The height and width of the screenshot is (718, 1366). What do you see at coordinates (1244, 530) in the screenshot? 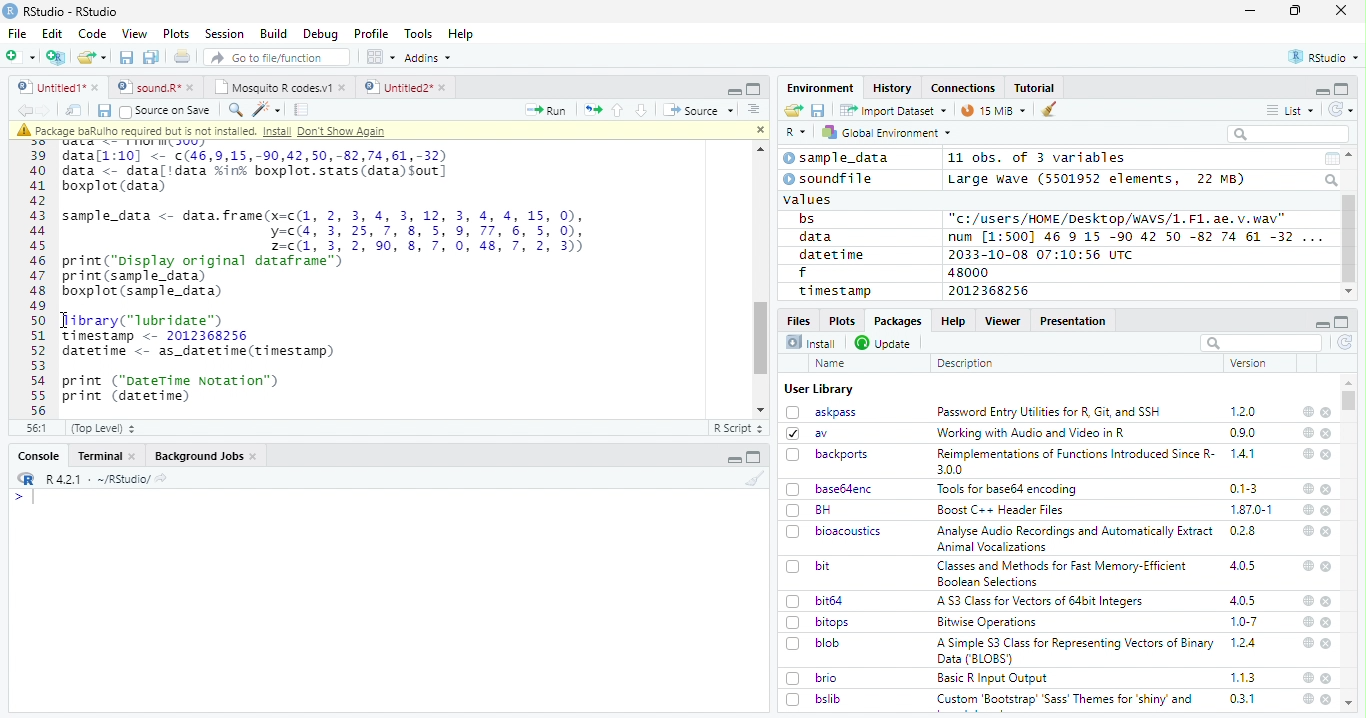
I see `0.2.8` at bounding box center [1244, 530].